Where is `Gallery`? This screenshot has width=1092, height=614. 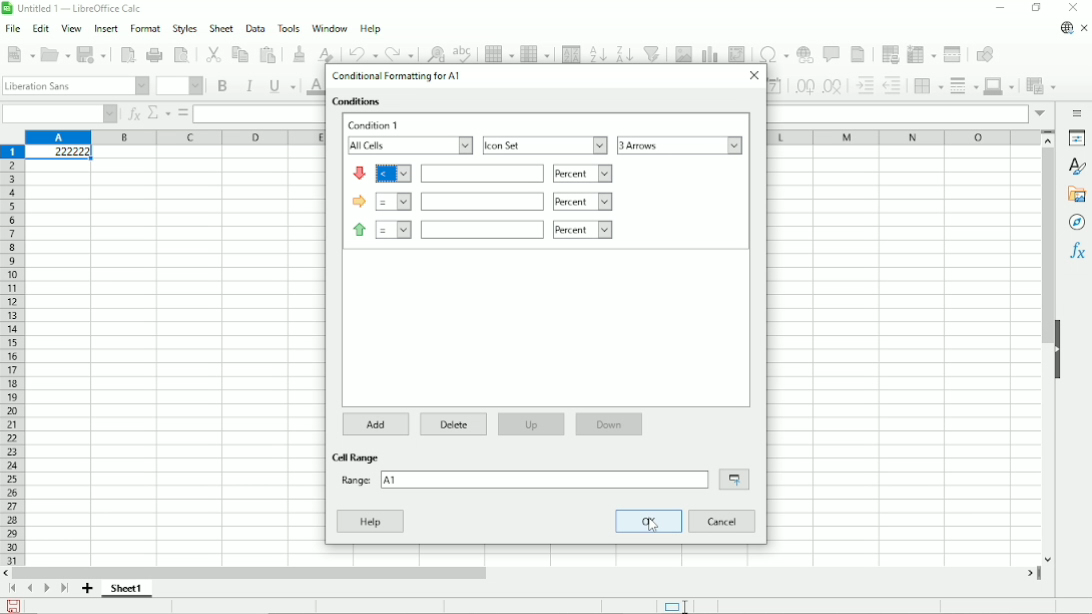
Gallery is located at coordinates (1077, 194).